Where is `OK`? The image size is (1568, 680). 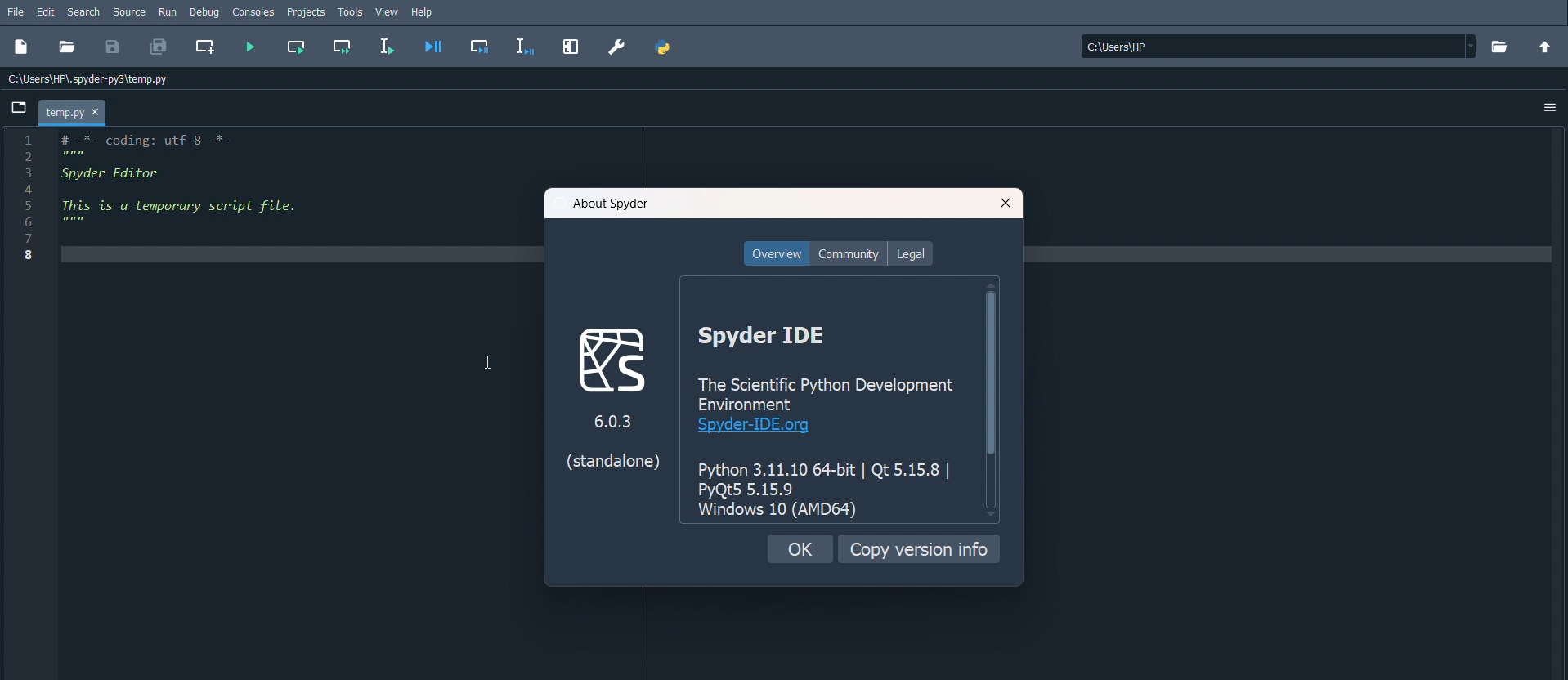
OK is located at coordinates (800, 549).